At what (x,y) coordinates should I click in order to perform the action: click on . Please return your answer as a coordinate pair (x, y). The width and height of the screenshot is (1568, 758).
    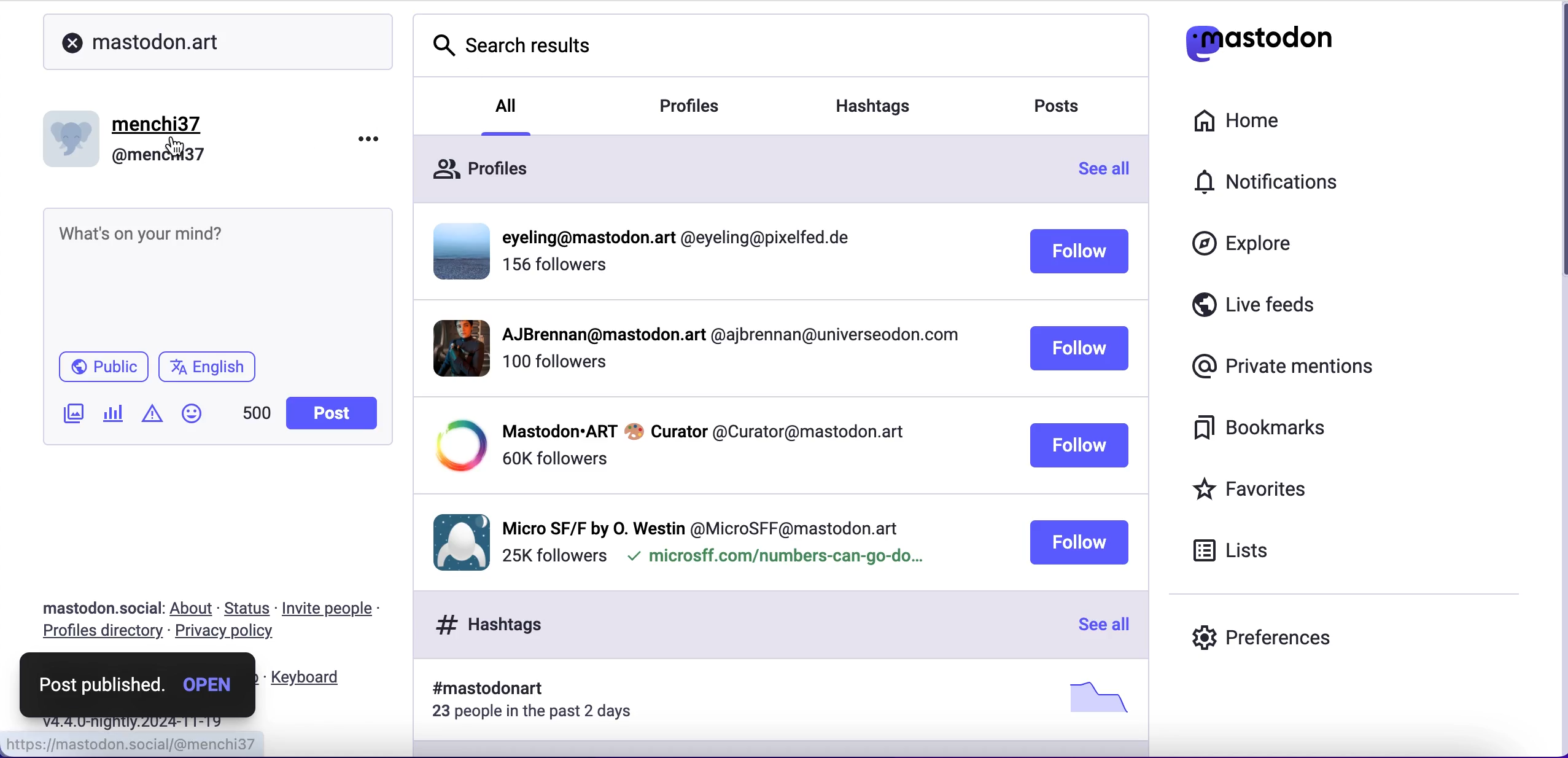
    Looking at the image, I should click on (693, 238).